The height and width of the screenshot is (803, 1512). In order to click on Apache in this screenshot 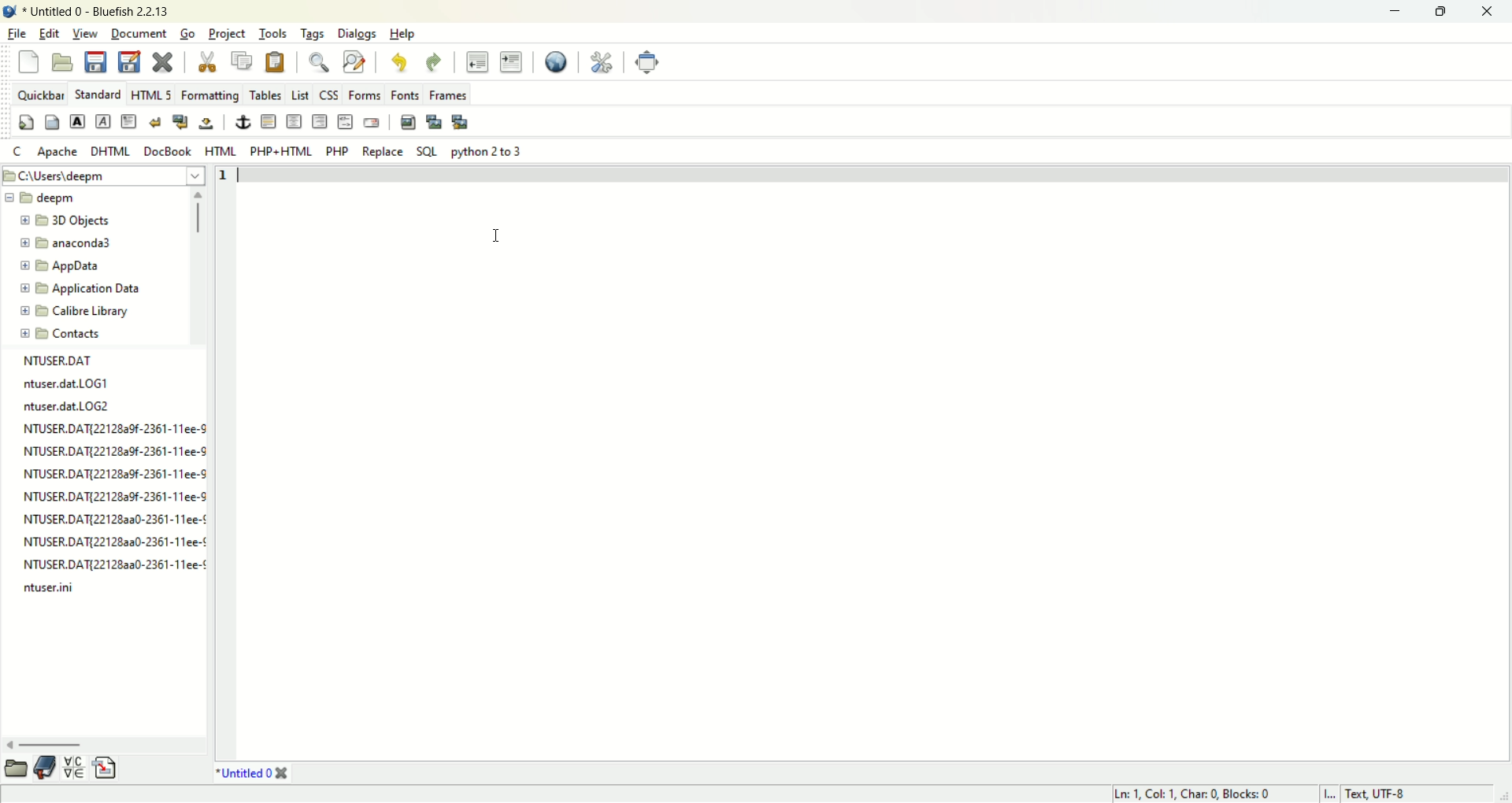, I will do `click(57, 151)`.